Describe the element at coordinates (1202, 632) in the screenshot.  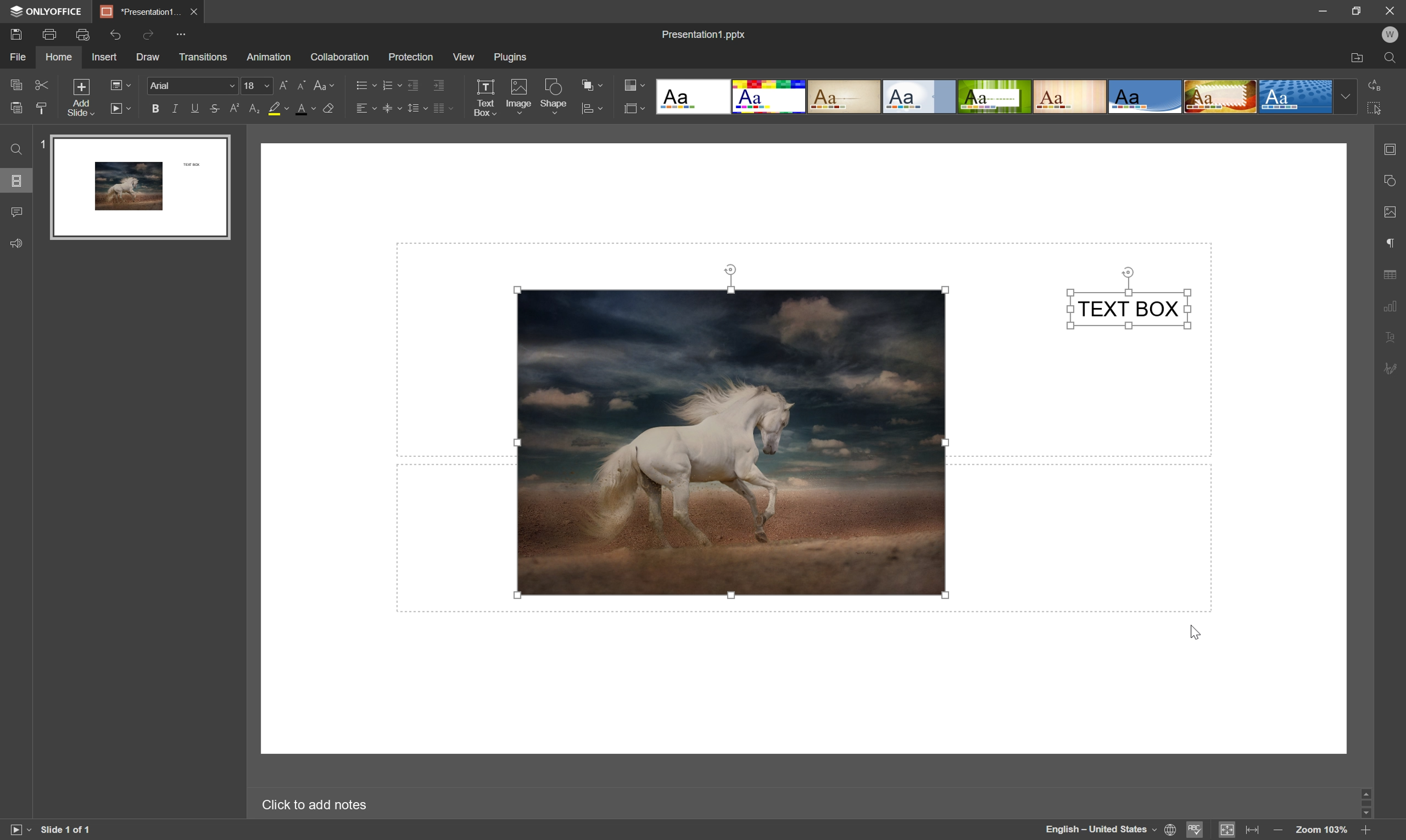
I see `cursor` at that location.